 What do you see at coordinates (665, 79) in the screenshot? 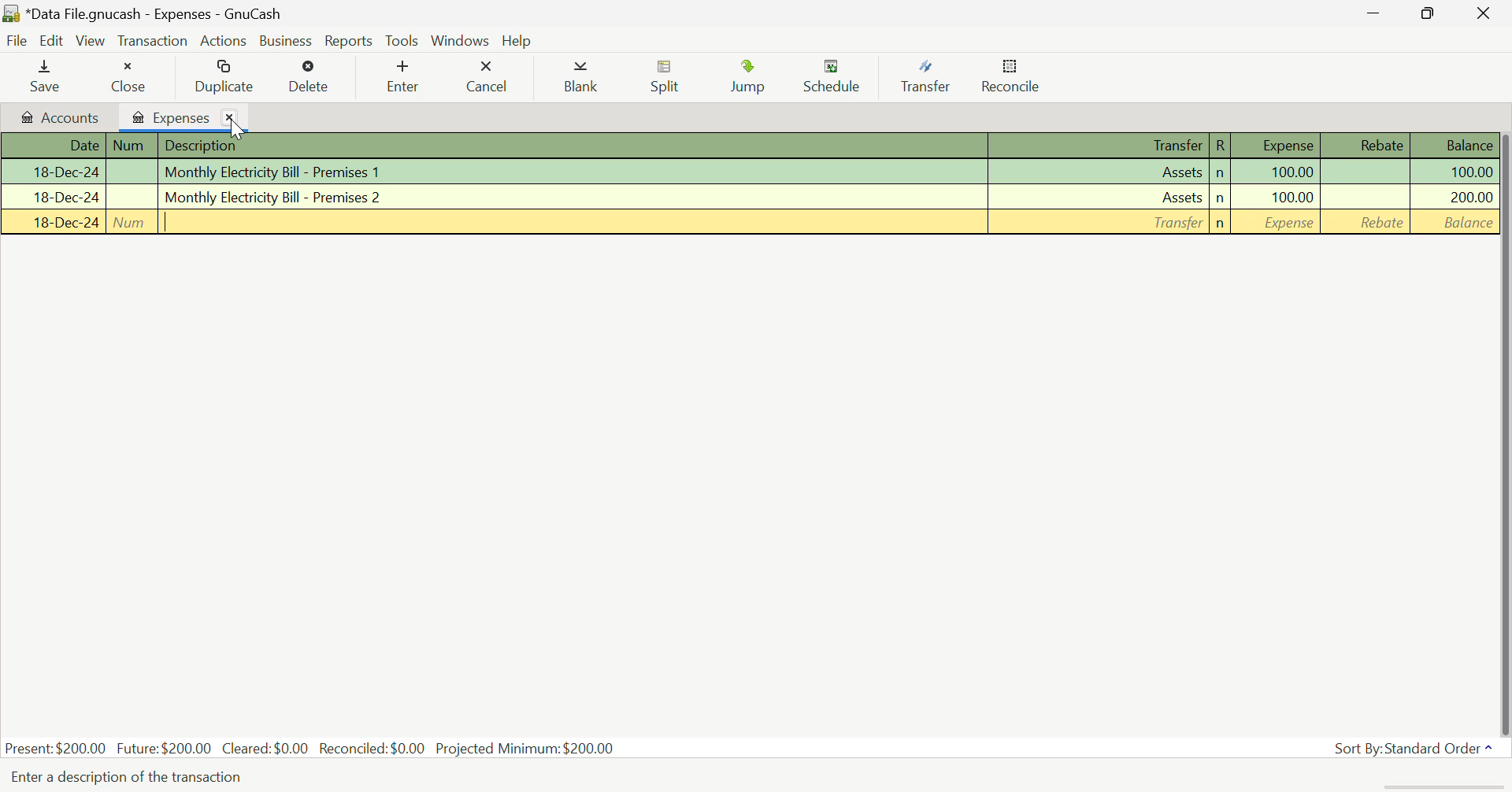
I see `Split` at bounding box center [665, 79].